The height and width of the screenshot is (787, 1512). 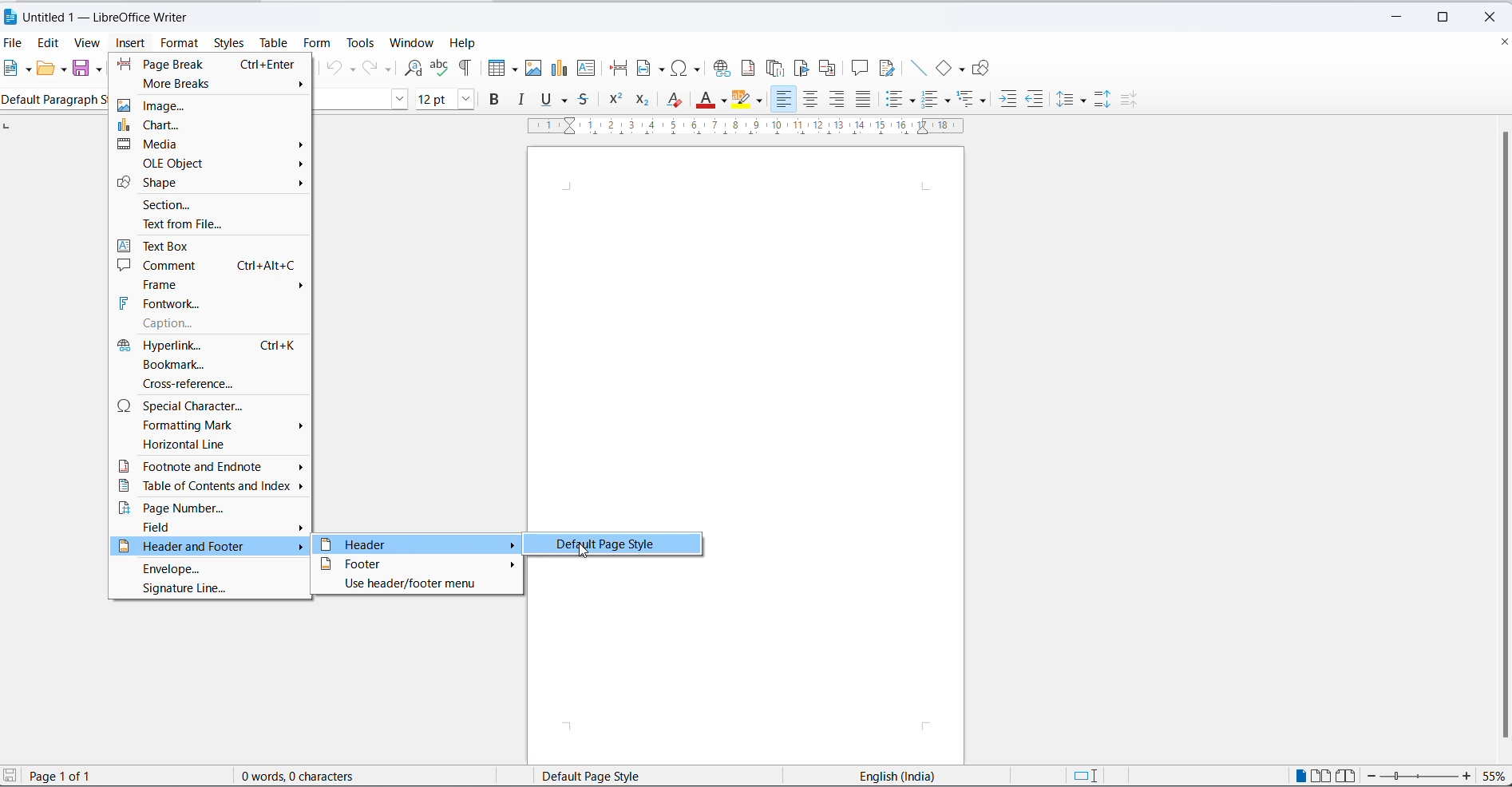 What do you see at coordinates (832, 68) in the screenshot?
I see `insert cross-reference` at bounding box center [832, 68].